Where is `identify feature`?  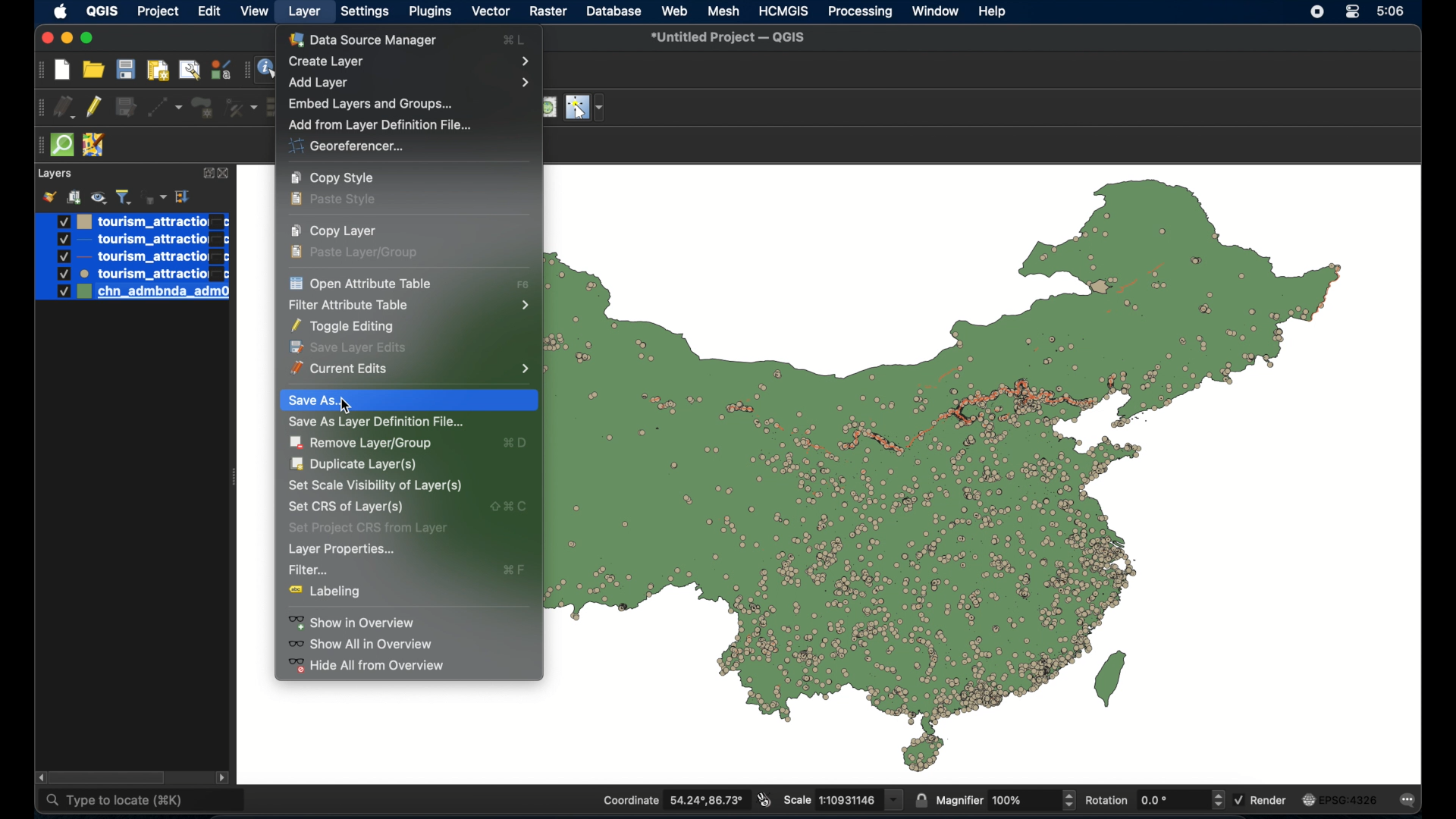
identify feature is located at coordinates (268, 69).